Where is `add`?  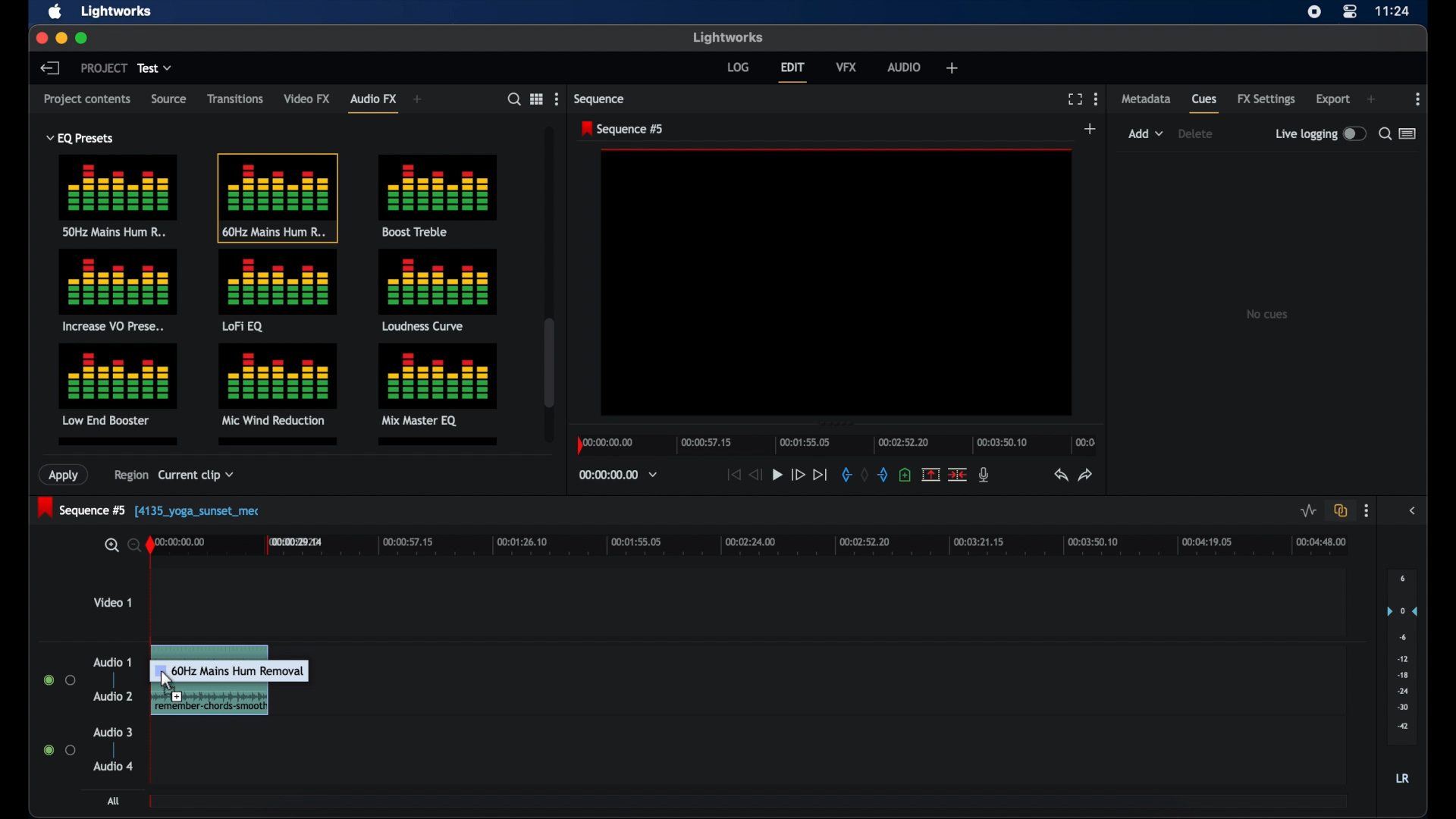 add is located at coordinates (418, 99).